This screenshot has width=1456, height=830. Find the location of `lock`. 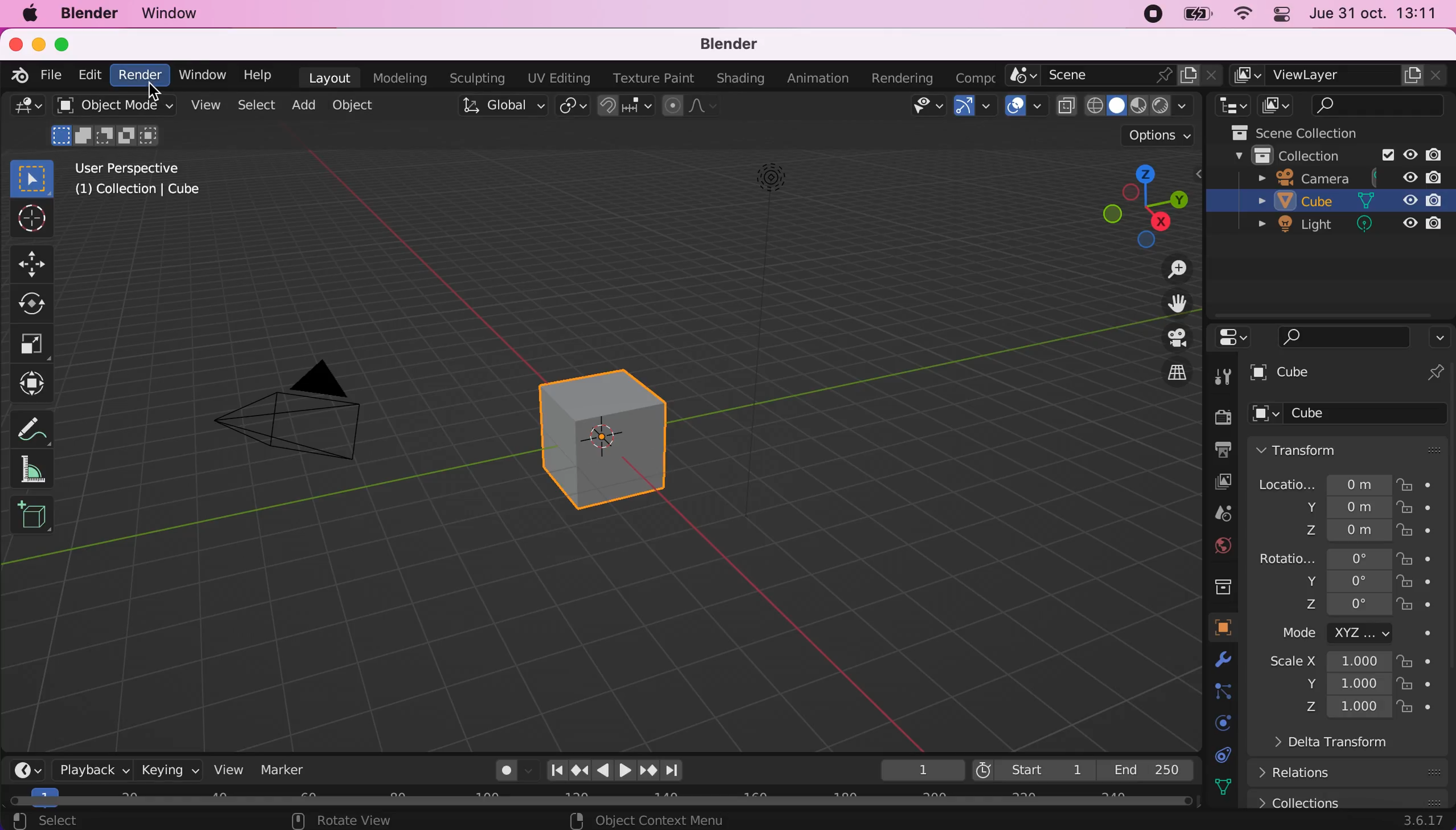

lock is located at coordinates (1417, 710).